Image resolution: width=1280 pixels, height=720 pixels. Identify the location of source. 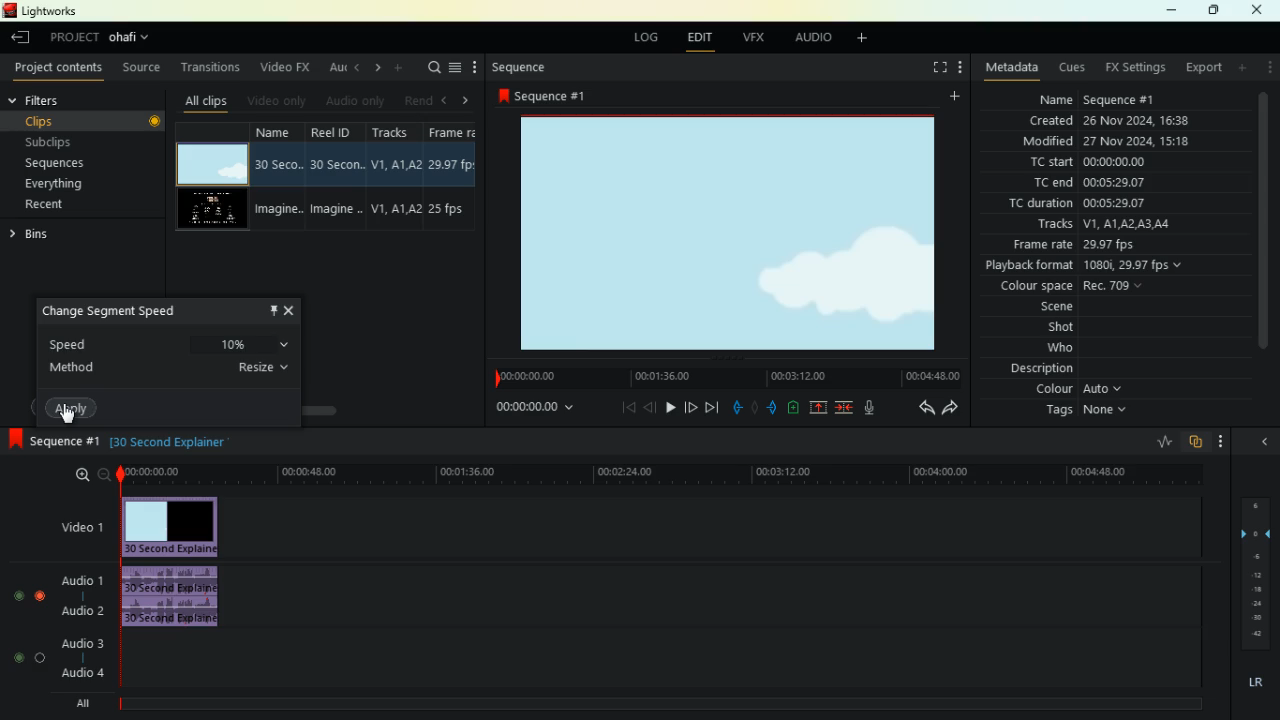
(144, 69).